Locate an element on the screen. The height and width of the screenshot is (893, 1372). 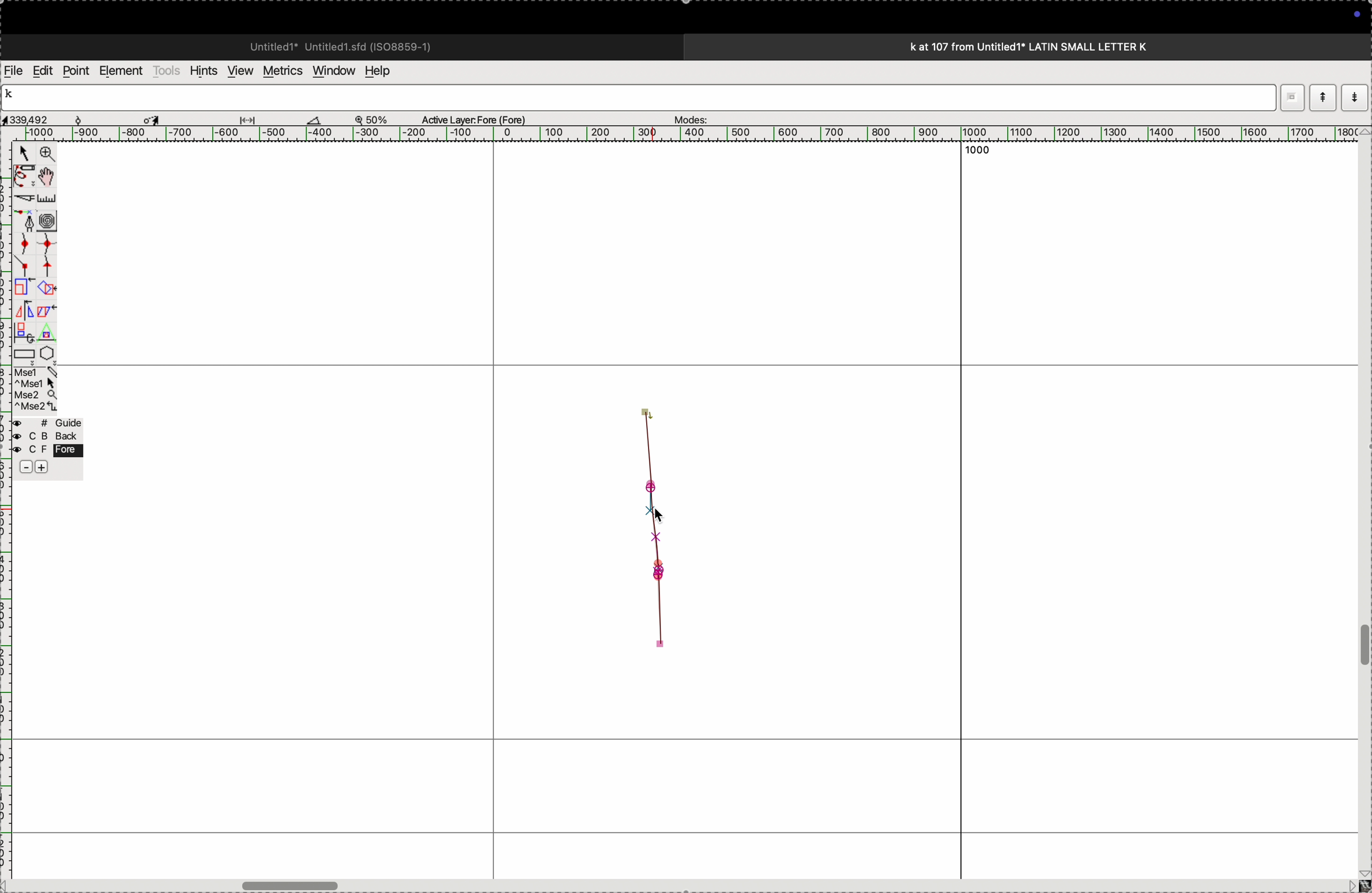
modes is located at coordinates (687, 116).